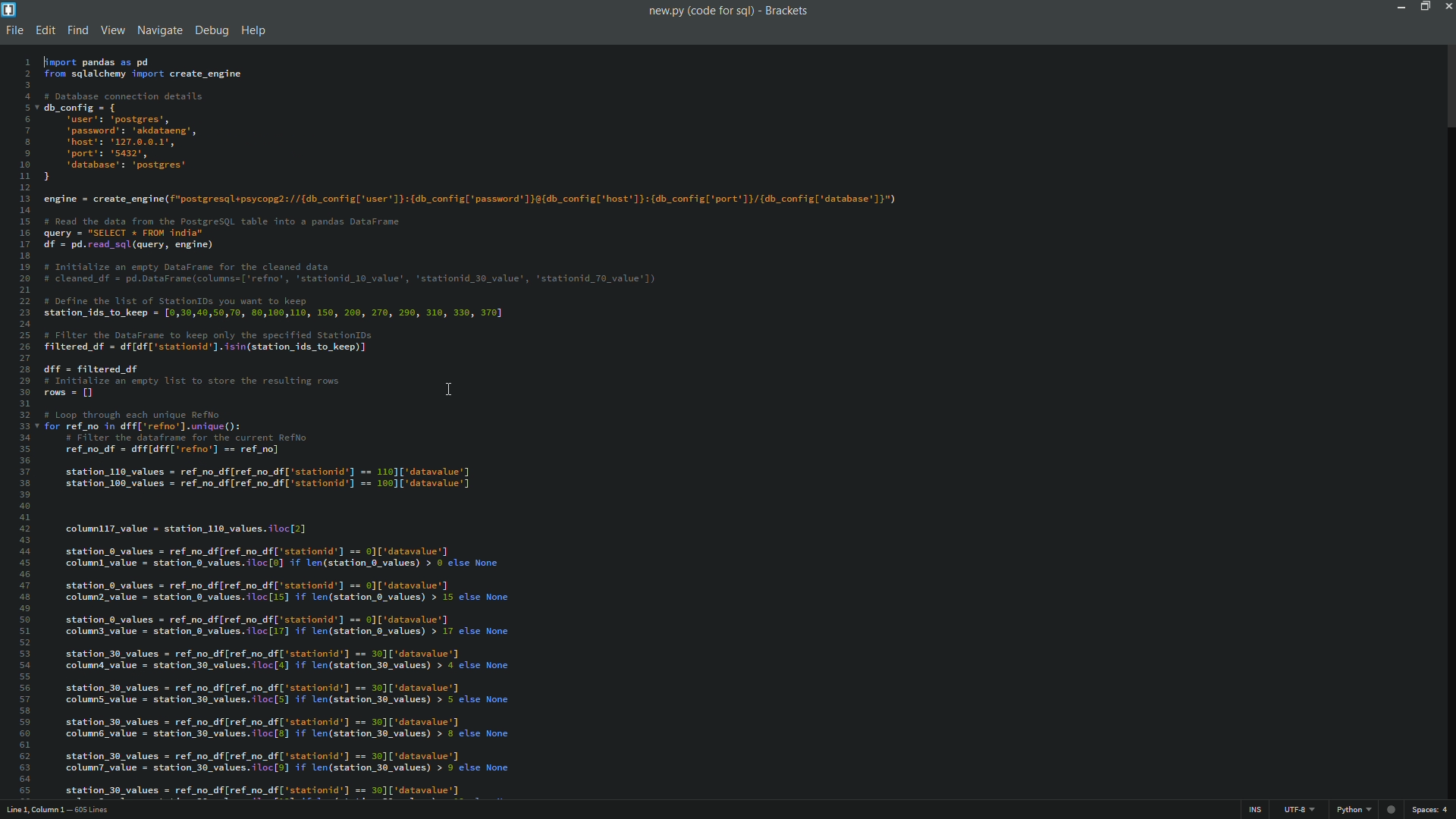  Describe the element at coordinates (447, 386) in the screenshot. I see `cursor` at that location.